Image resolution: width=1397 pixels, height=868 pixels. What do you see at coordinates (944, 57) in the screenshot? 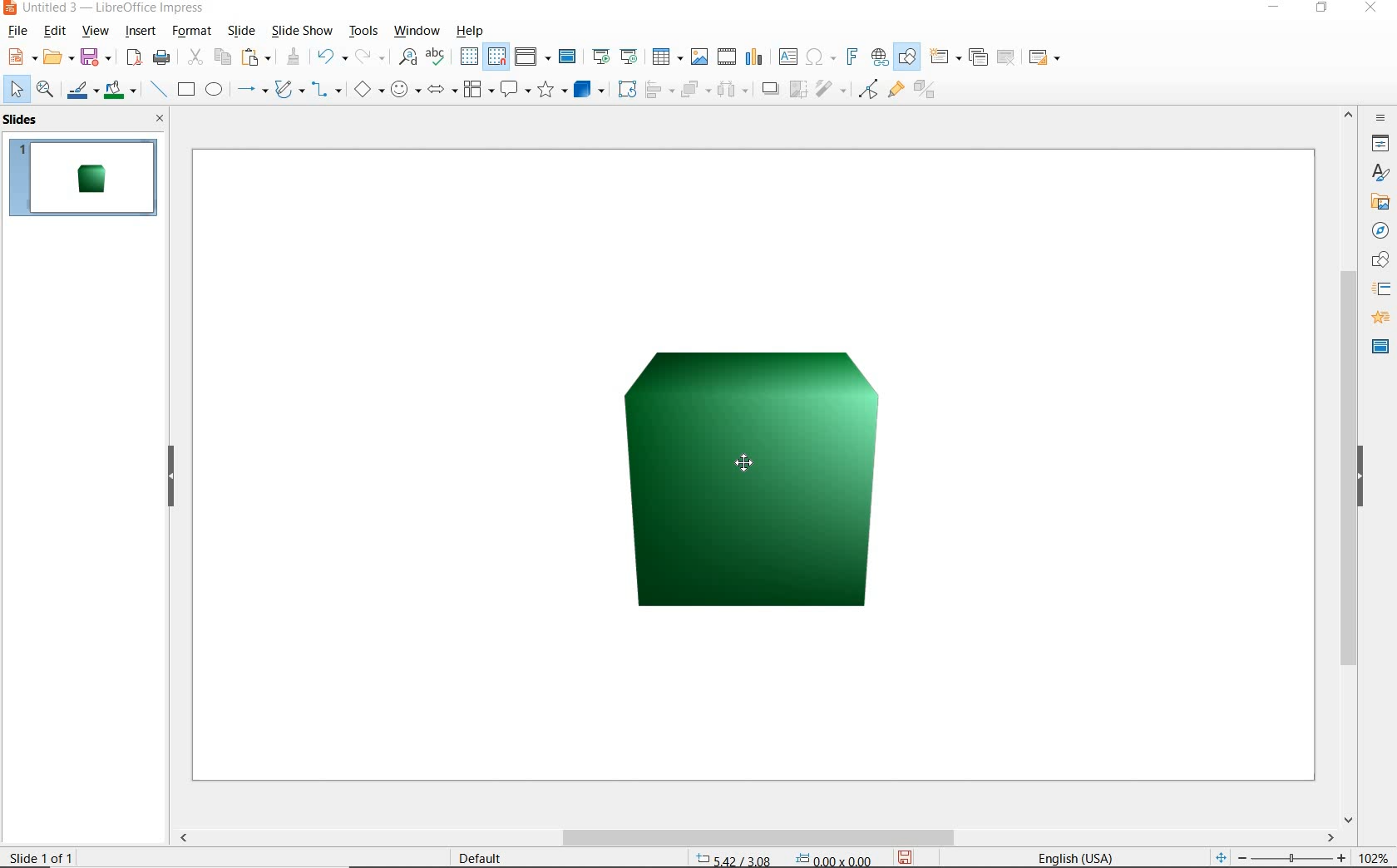
I see `new slide` at bounding box center [944, 57].